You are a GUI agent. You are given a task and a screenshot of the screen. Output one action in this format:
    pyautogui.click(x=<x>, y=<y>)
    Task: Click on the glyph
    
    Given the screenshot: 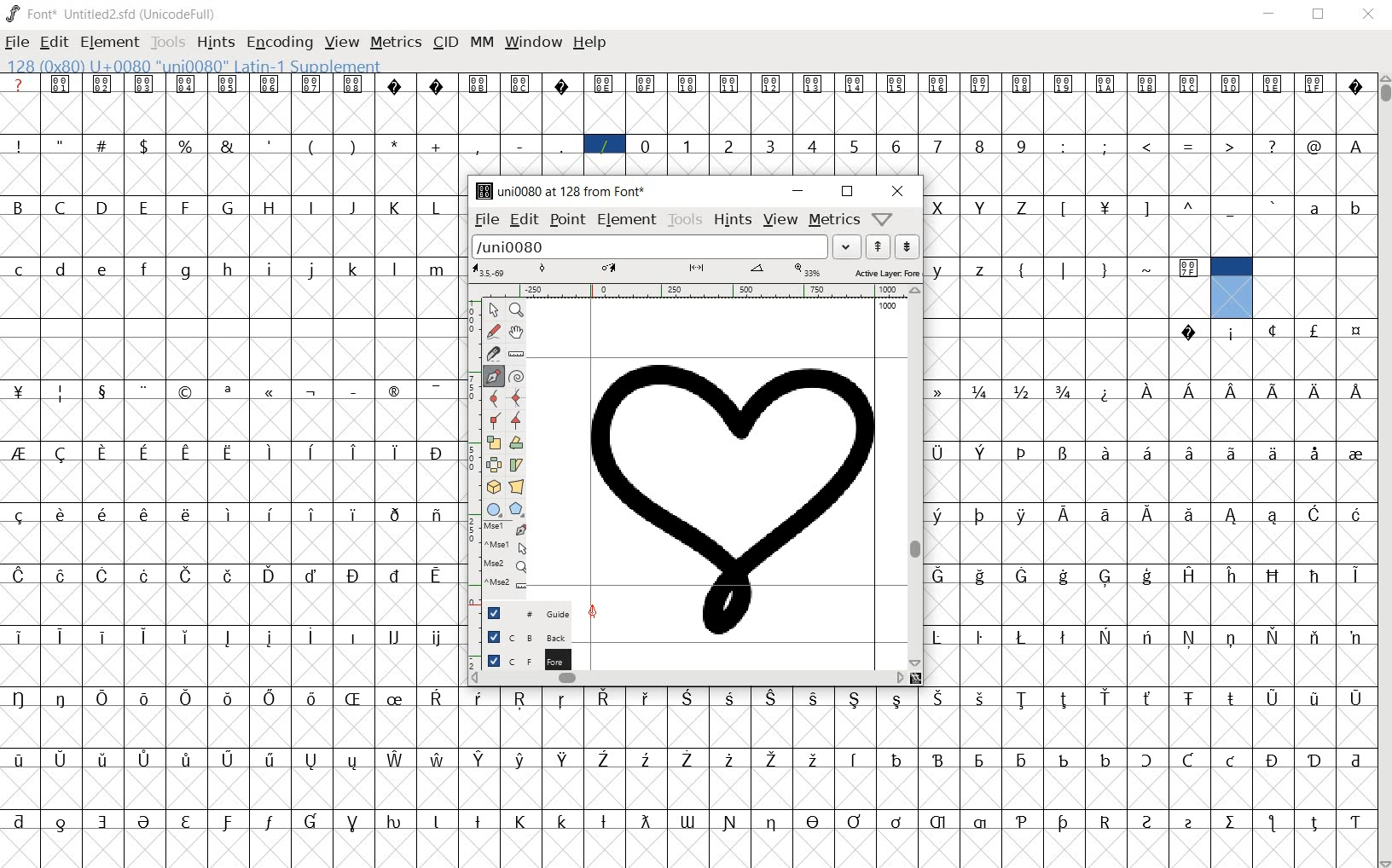 What is the action you would take?
    pyautogui.click(x=979, y=638)
    